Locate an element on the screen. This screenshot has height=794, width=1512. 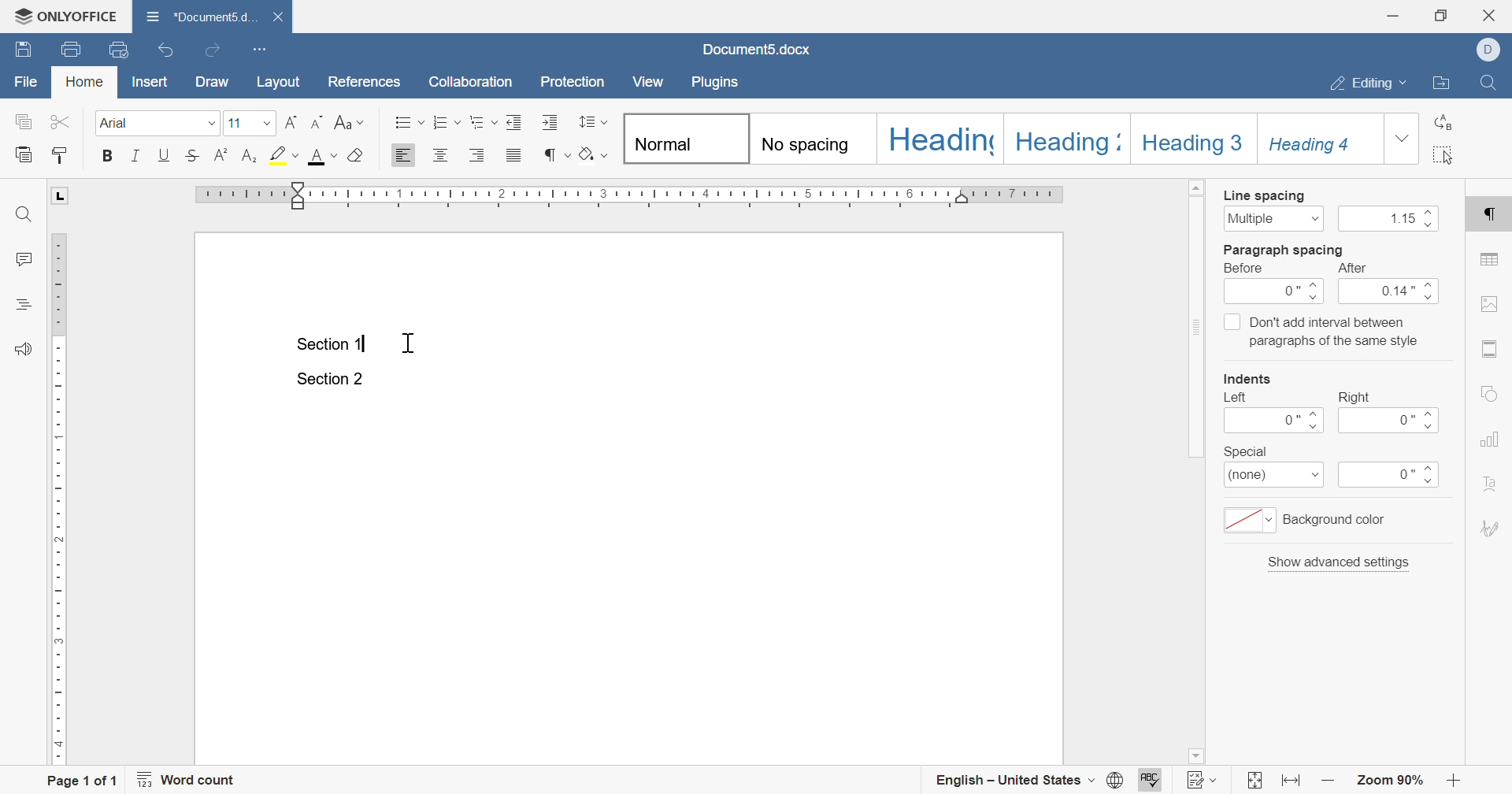
header & footer settings is located at coordinates (1492, 350).